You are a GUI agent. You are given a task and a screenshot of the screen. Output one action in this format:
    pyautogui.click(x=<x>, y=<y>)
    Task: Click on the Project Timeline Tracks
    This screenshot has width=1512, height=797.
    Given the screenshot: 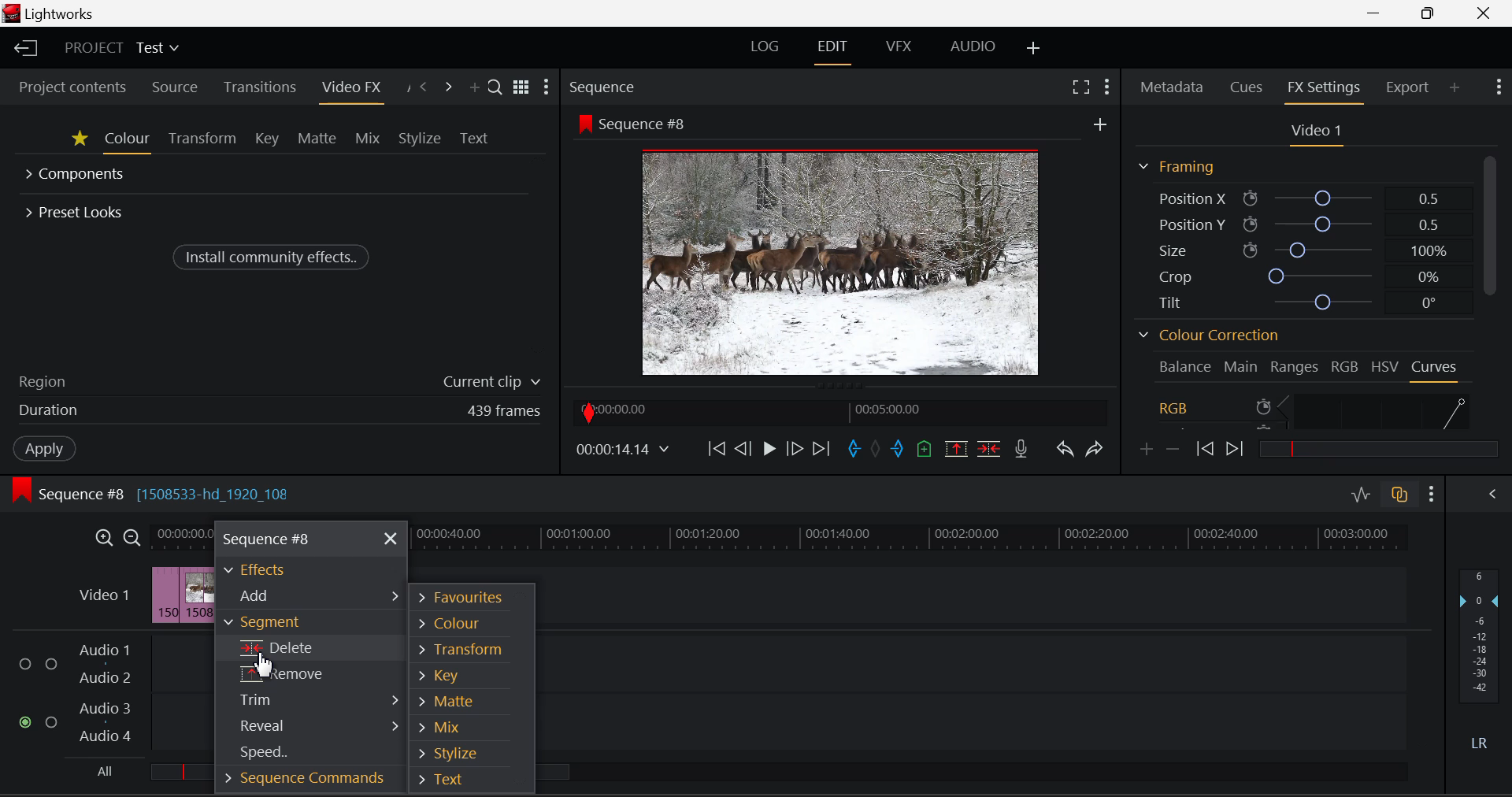 What is the action you would take?
    pyautogui.click(x=915, y=539)
    